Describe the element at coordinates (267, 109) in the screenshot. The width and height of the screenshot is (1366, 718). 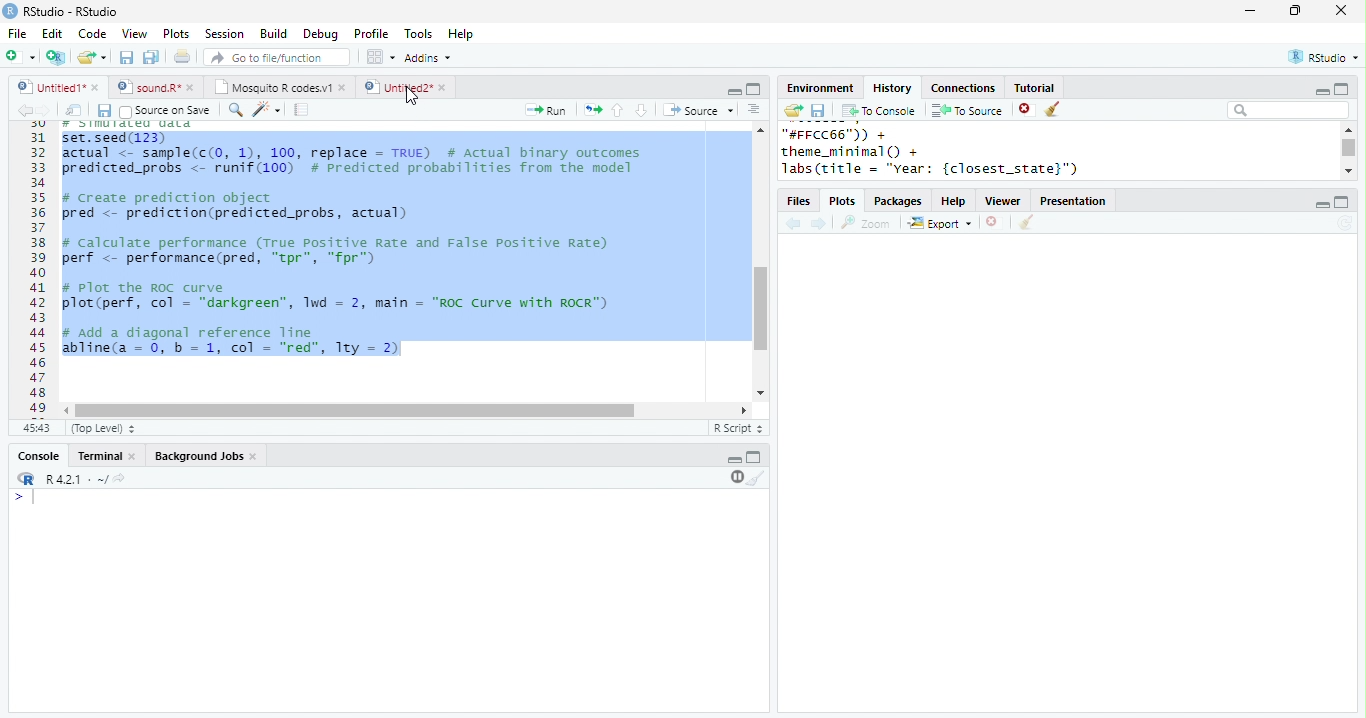
I see `code tools` at that location.